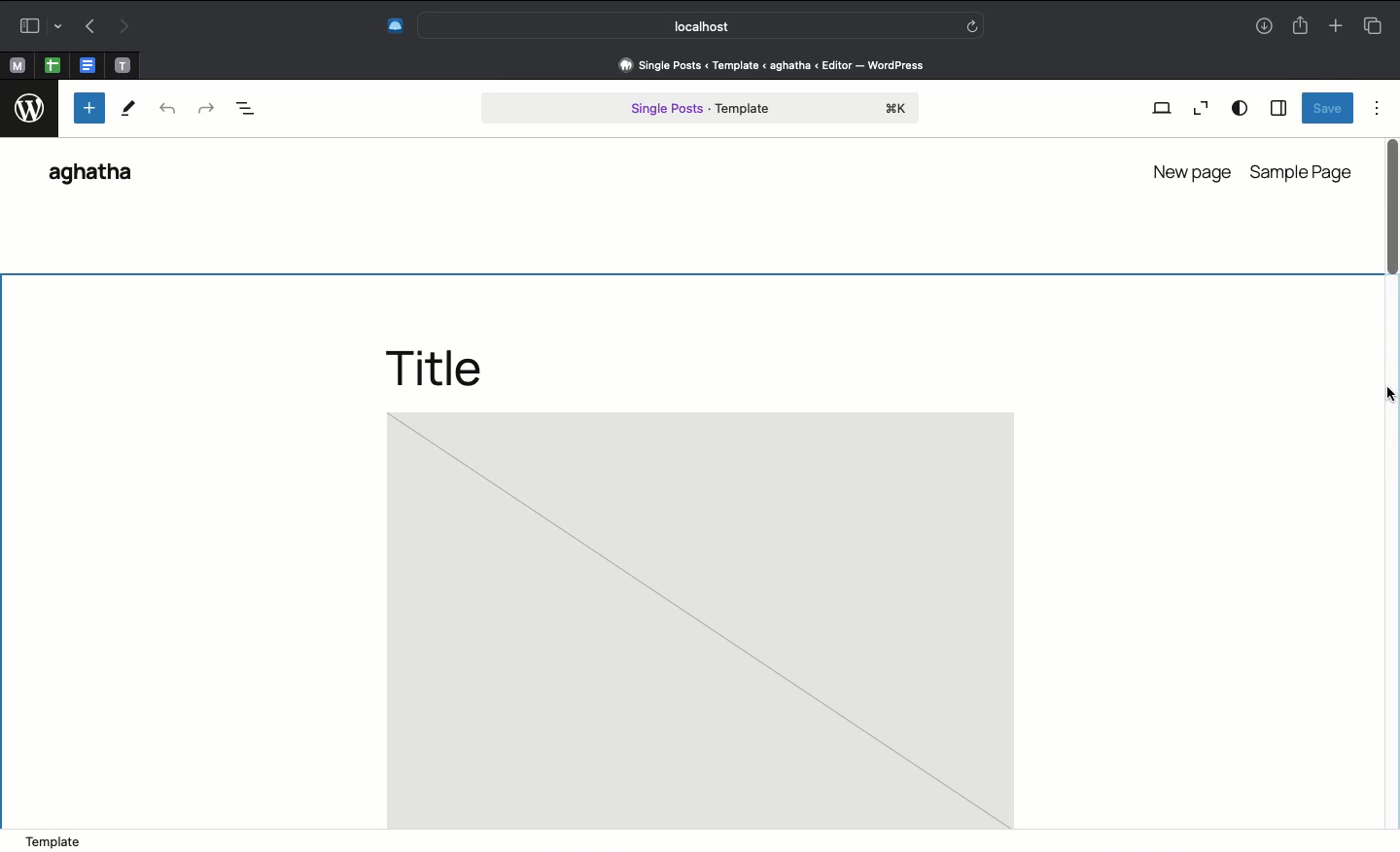  What do you see at coordinates (769, 64) in the screenshot?
I see `Address` at bounding box center [769, 64].